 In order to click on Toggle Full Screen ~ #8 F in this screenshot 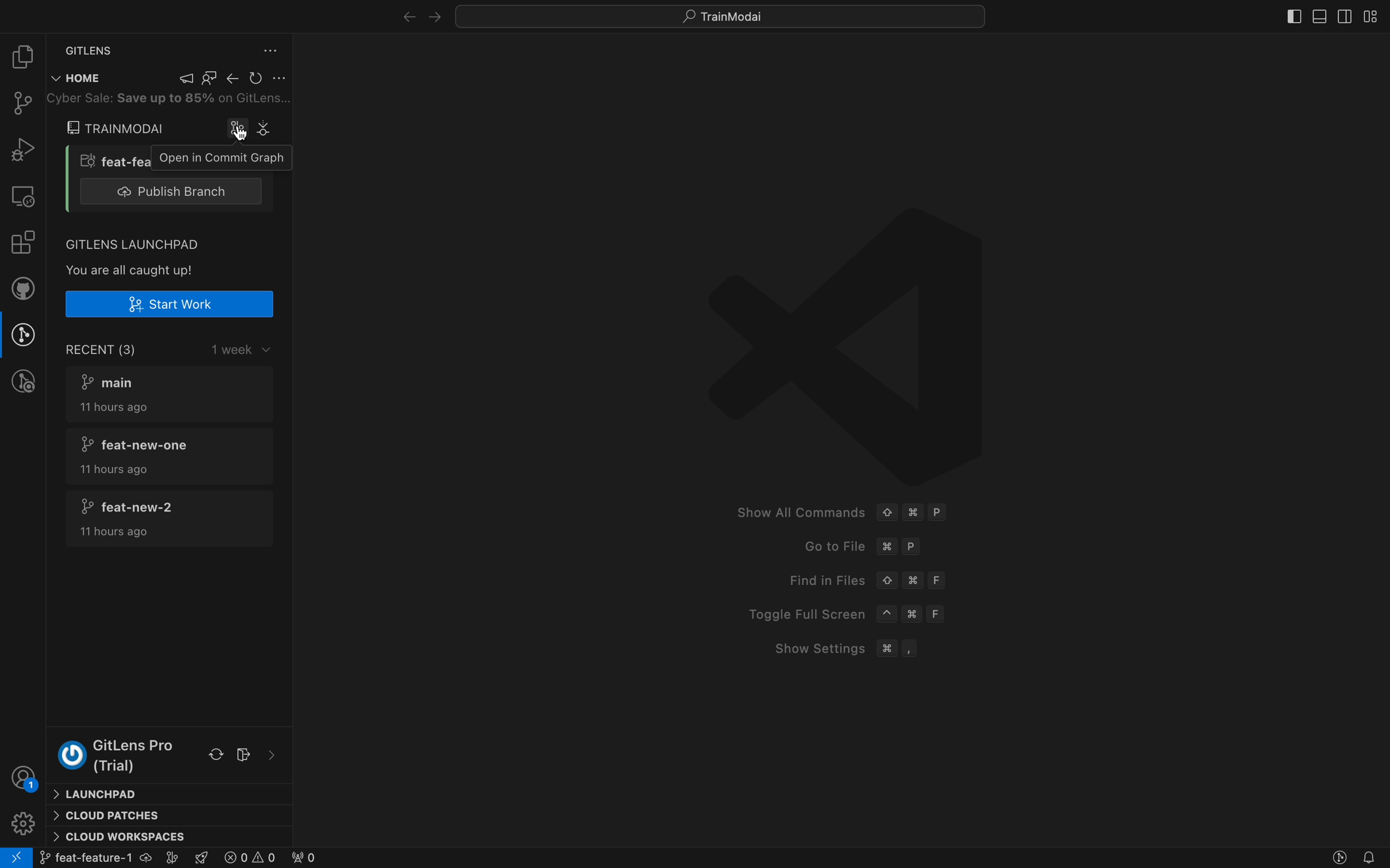, I will do `click(844, 613)`.